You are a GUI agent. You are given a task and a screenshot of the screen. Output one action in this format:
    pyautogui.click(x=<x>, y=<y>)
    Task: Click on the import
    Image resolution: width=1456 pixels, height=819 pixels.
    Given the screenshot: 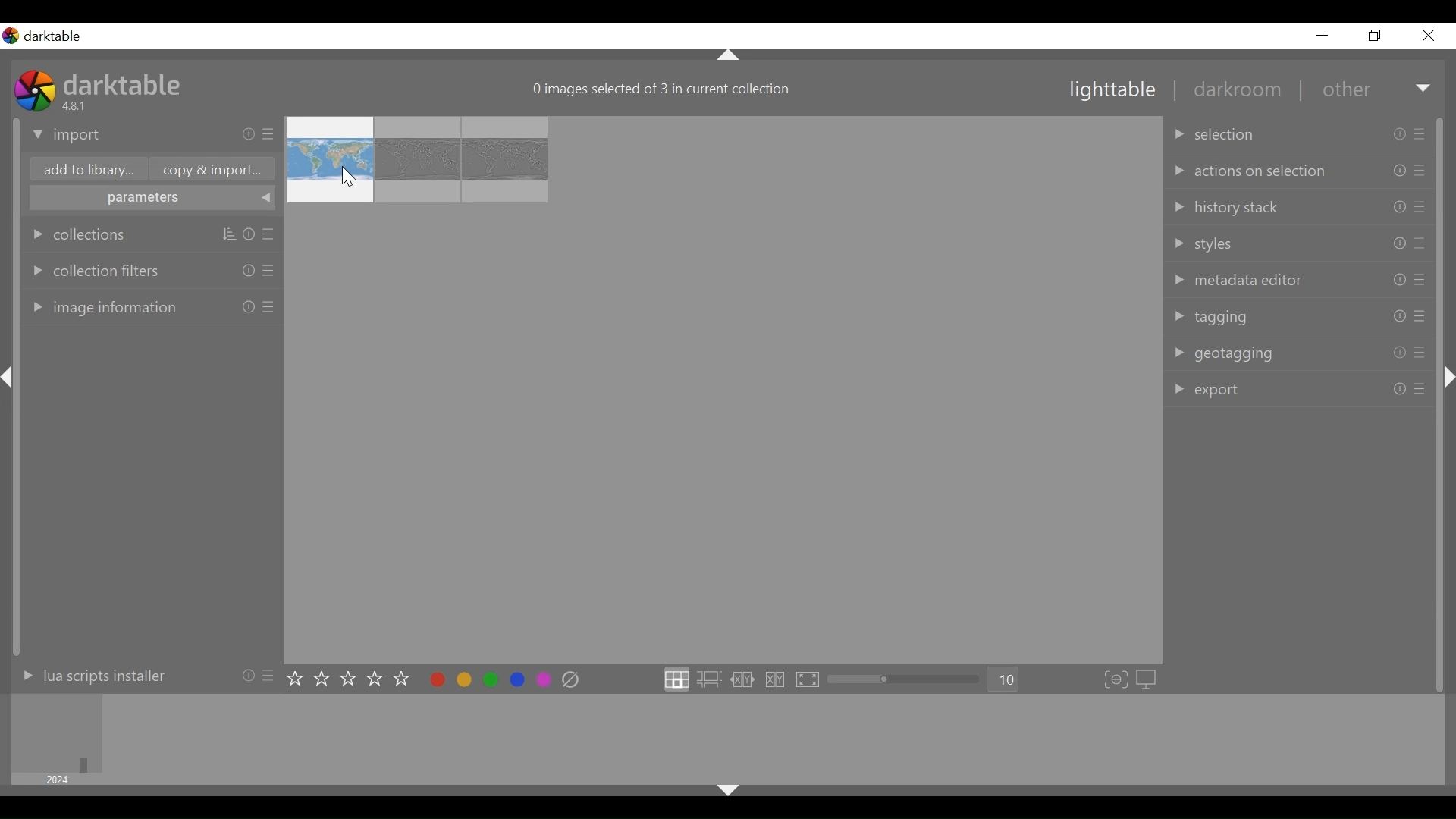 What is the action you would take?
    pyautogui.click(x=146, y=135)
    